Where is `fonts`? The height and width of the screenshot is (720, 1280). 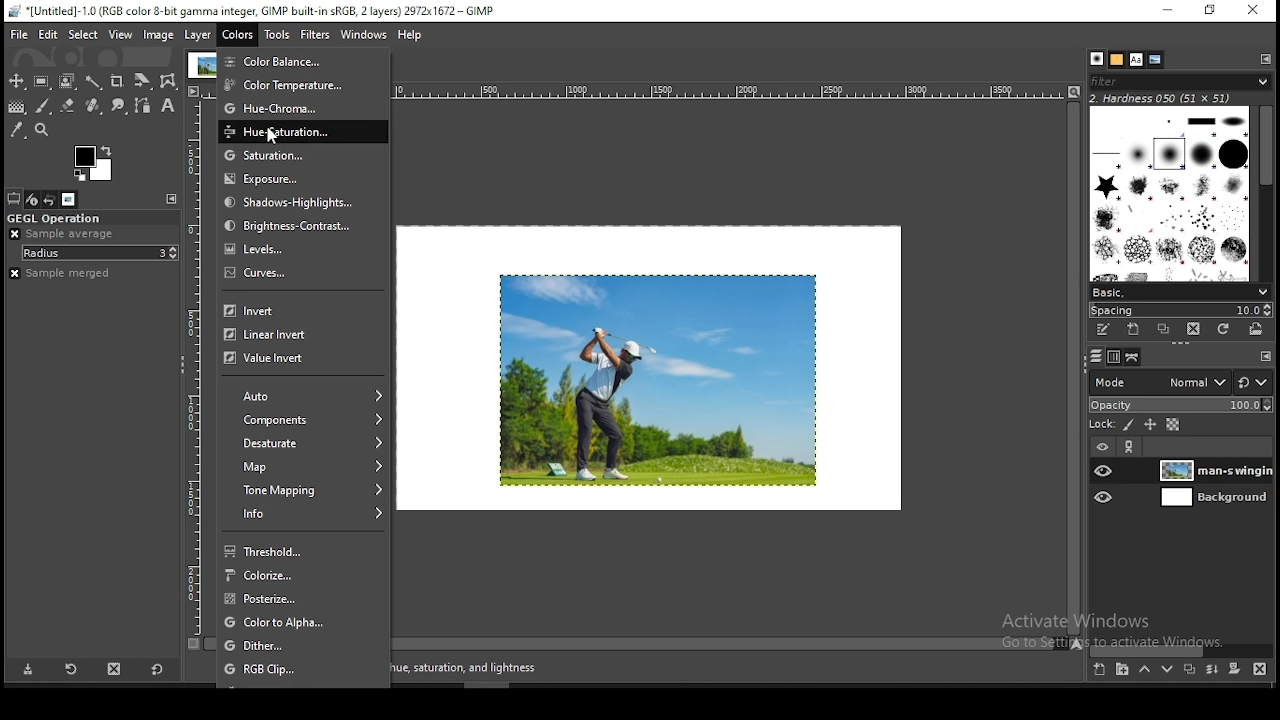
fonts is located at coordinates (1135, 60).